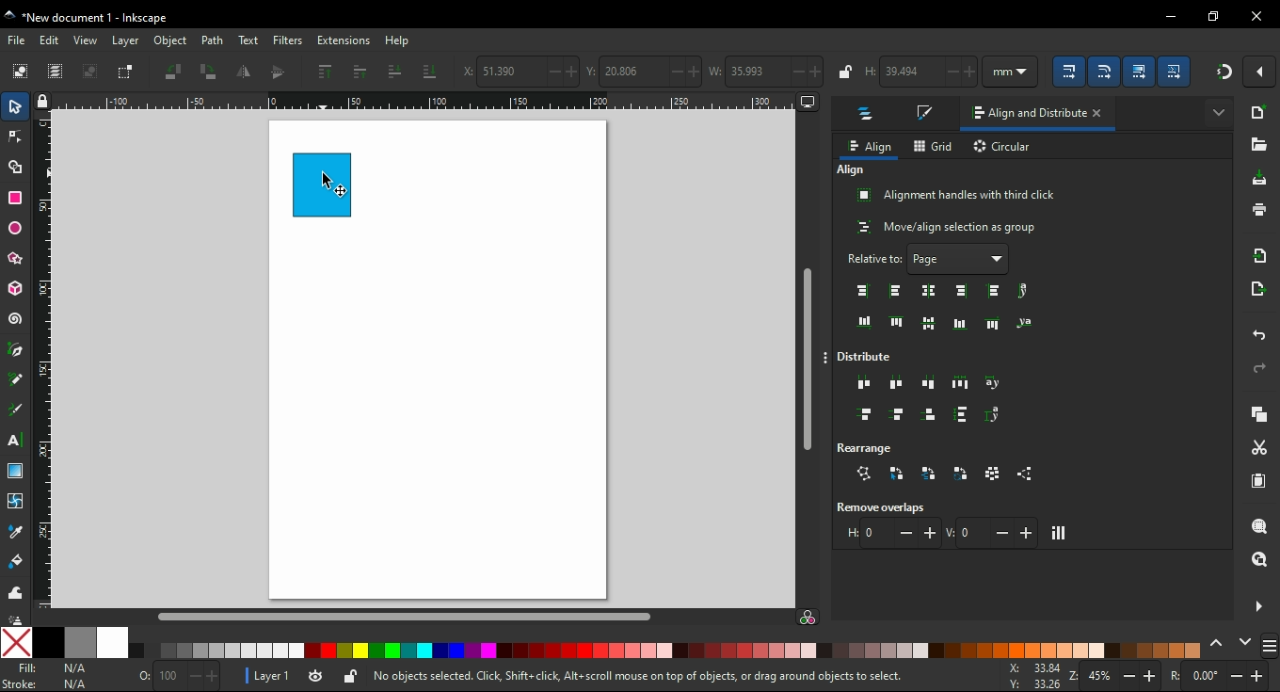 This screenshot has width=1280, height=692. Describe the element at coordinates (322, 184) in the screenshot. I see `shape` at that location.